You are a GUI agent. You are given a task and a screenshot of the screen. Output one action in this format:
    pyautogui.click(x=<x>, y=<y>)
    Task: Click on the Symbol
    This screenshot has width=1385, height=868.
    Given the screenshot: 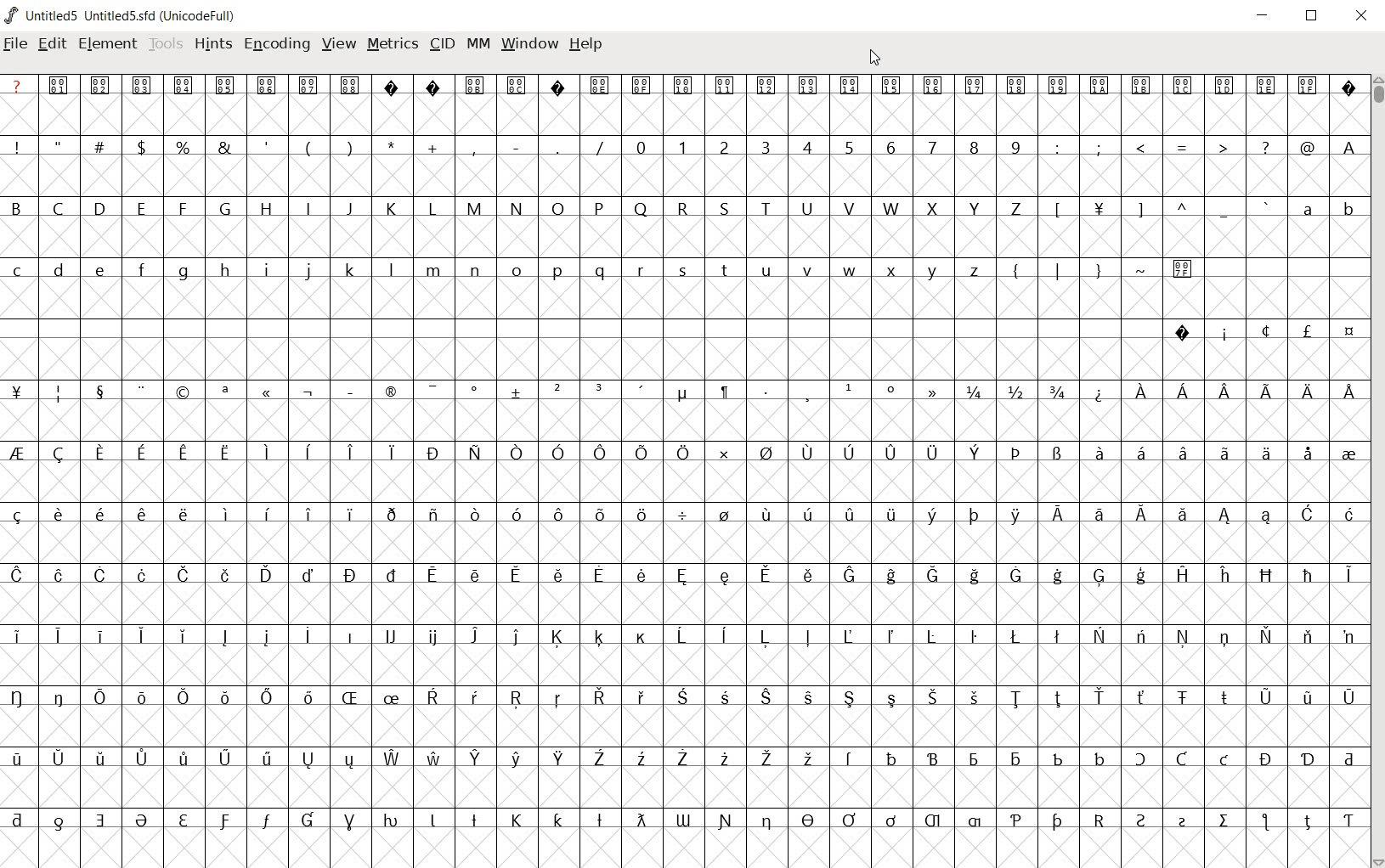 What is the action you would take?
    pyautogui.click(x=1180, y=454)
    